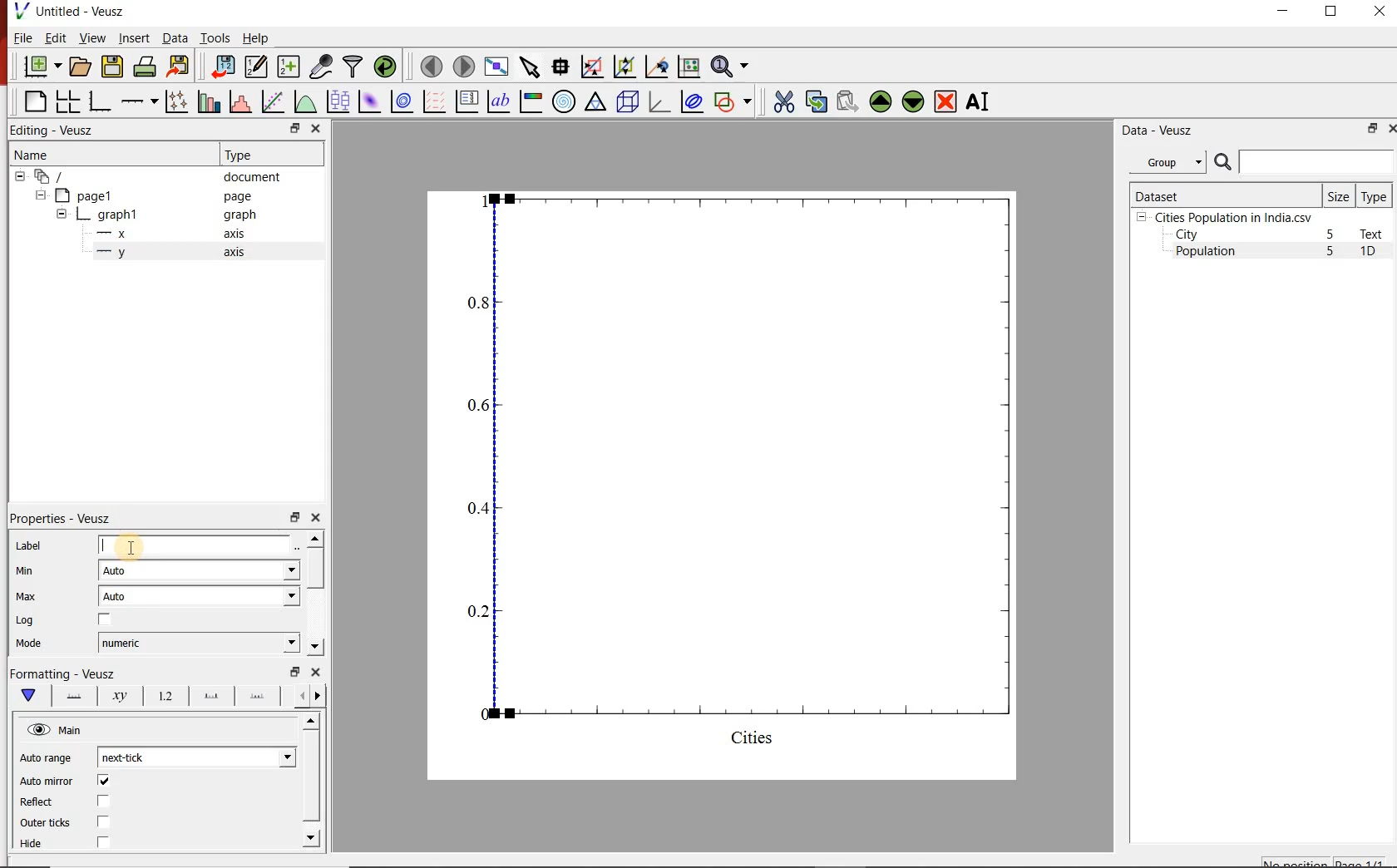 This screenshot has height=868, width=1397. I want to click on close, so click(313, 672).